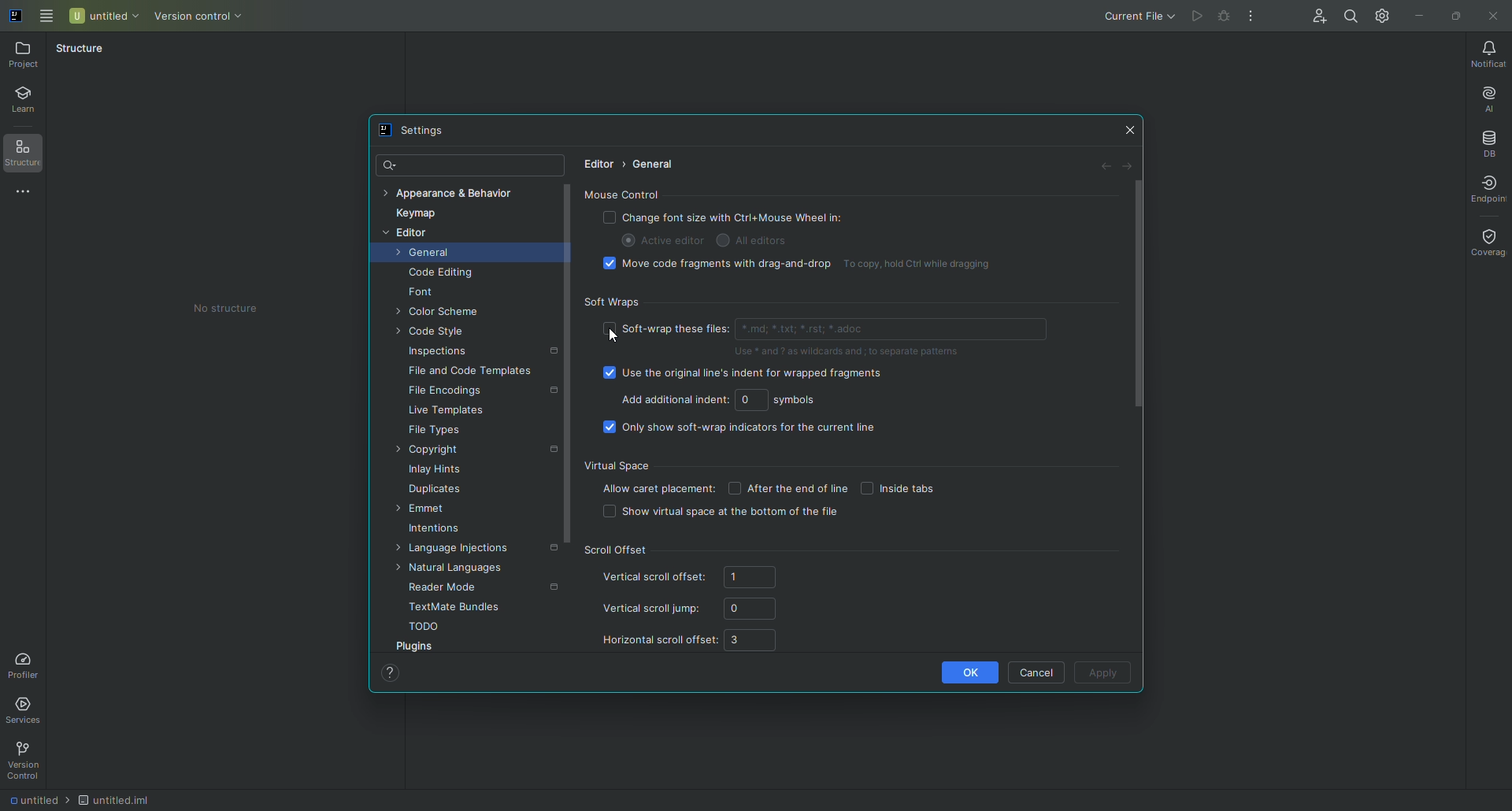  Describe the element at coordinates (1251, 17) in the screenshot. I see `More Actions` at that location.